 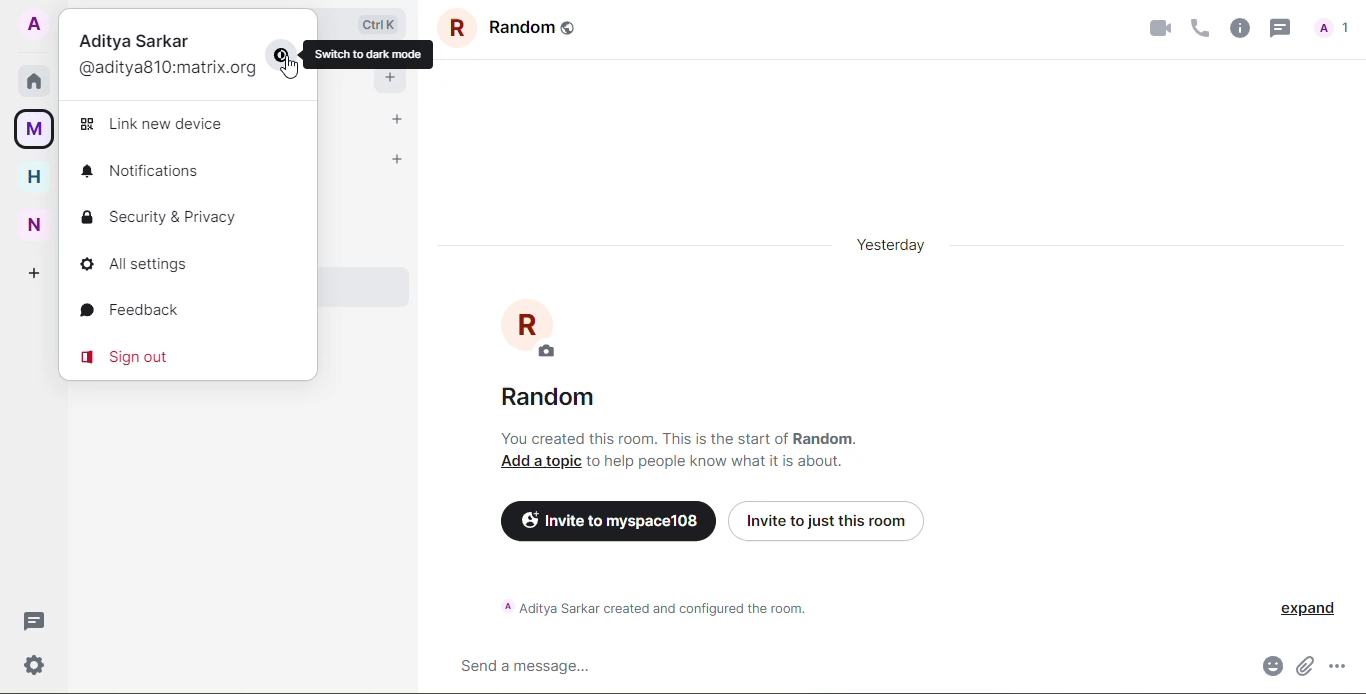 What do you see at coordinates (727, 460) in the screenshot?
I see `to help people know what it is about.` at bounding box center [727, 460].